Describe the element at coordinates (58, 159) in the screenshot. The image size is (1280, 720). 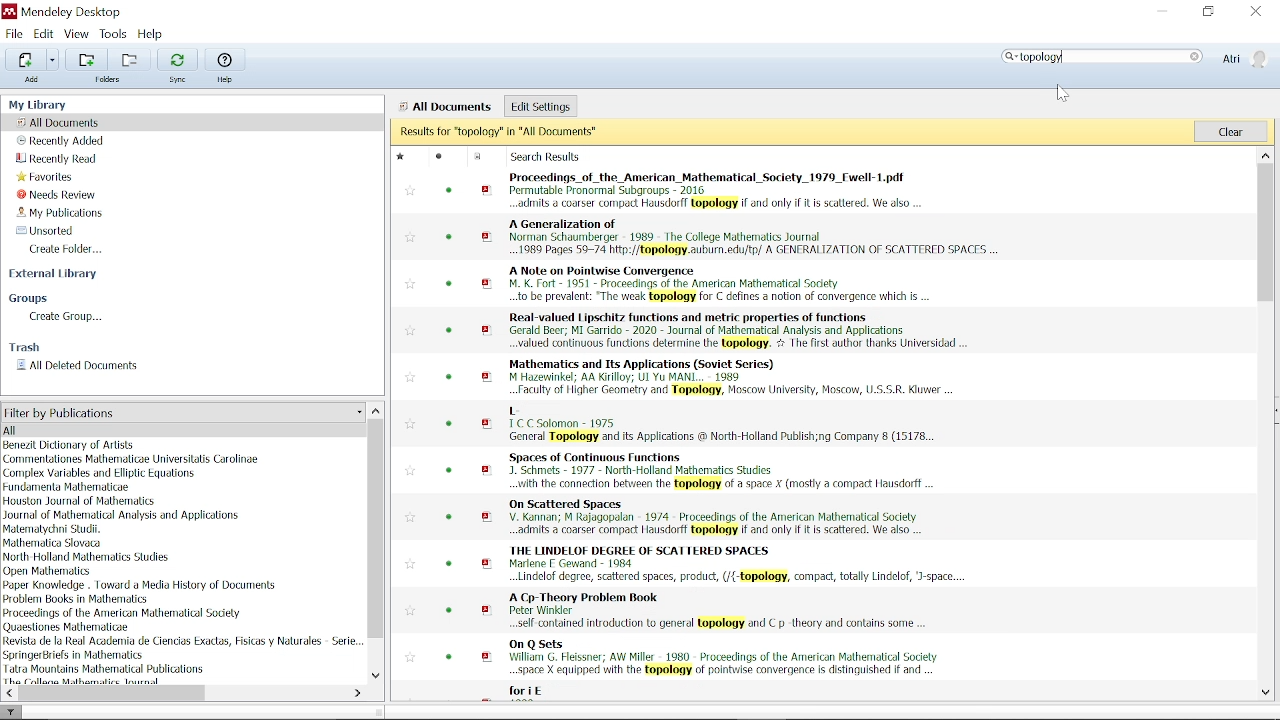
I see `Recently Read` at that location.